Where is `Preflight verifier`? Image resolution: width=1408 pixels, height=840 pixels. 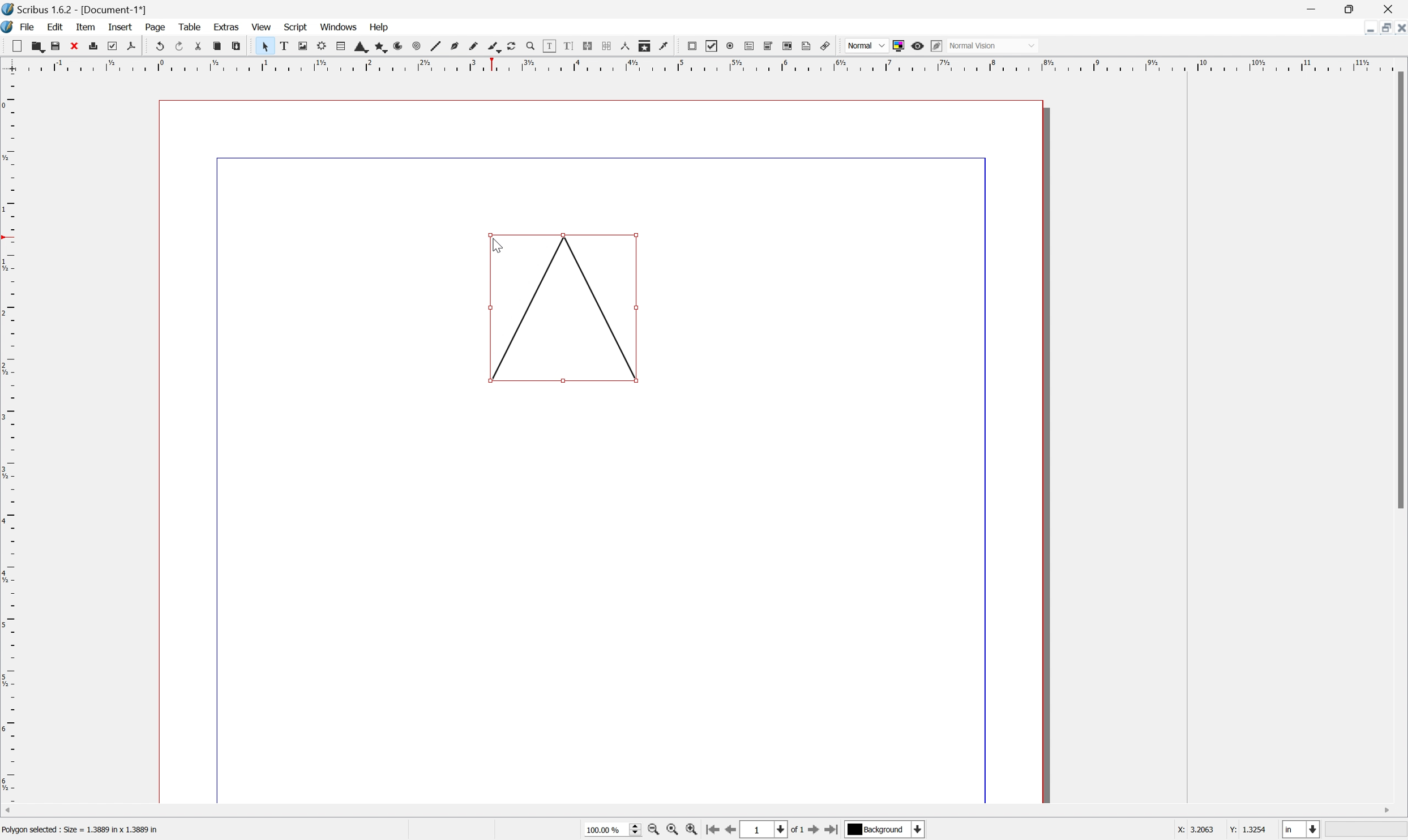
Preflight verifier is located at coordinates (112, 46).